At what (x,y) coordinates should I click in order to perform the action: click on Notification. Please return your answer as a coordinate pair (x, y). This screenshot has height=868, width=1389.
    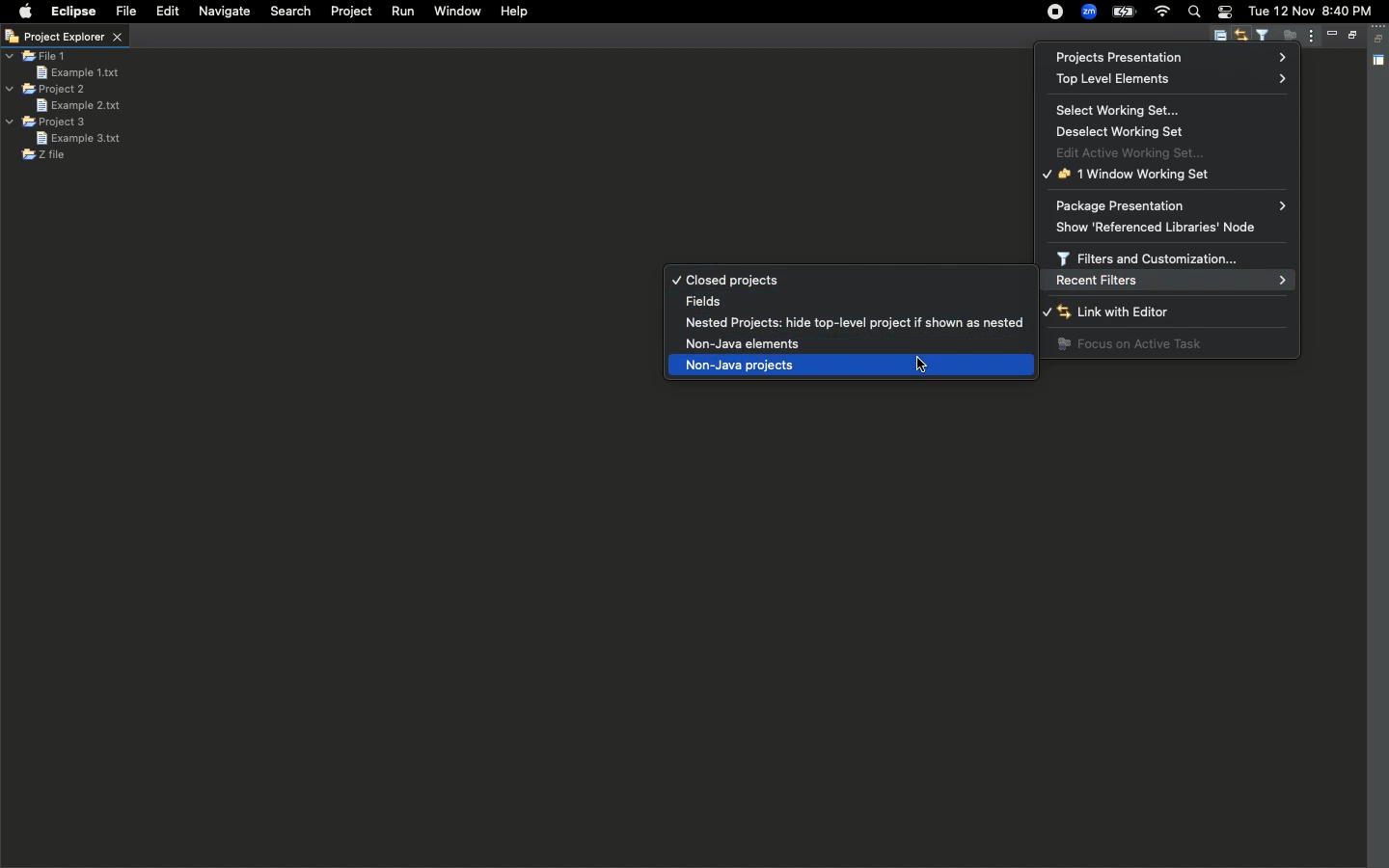
    Looking at the image, I should click on (1225, 13).